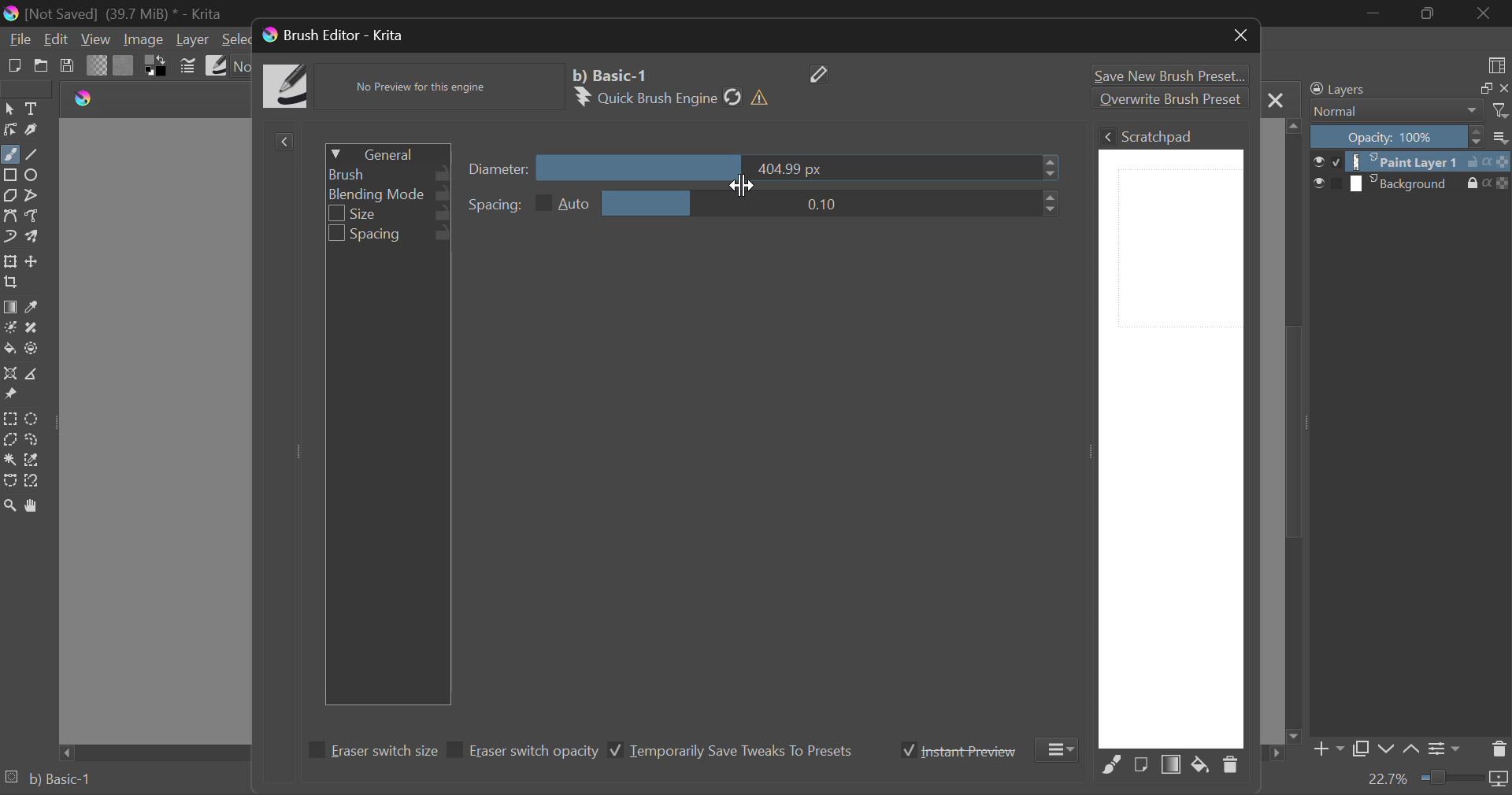  I want to click on Pan, so click(35, 505).